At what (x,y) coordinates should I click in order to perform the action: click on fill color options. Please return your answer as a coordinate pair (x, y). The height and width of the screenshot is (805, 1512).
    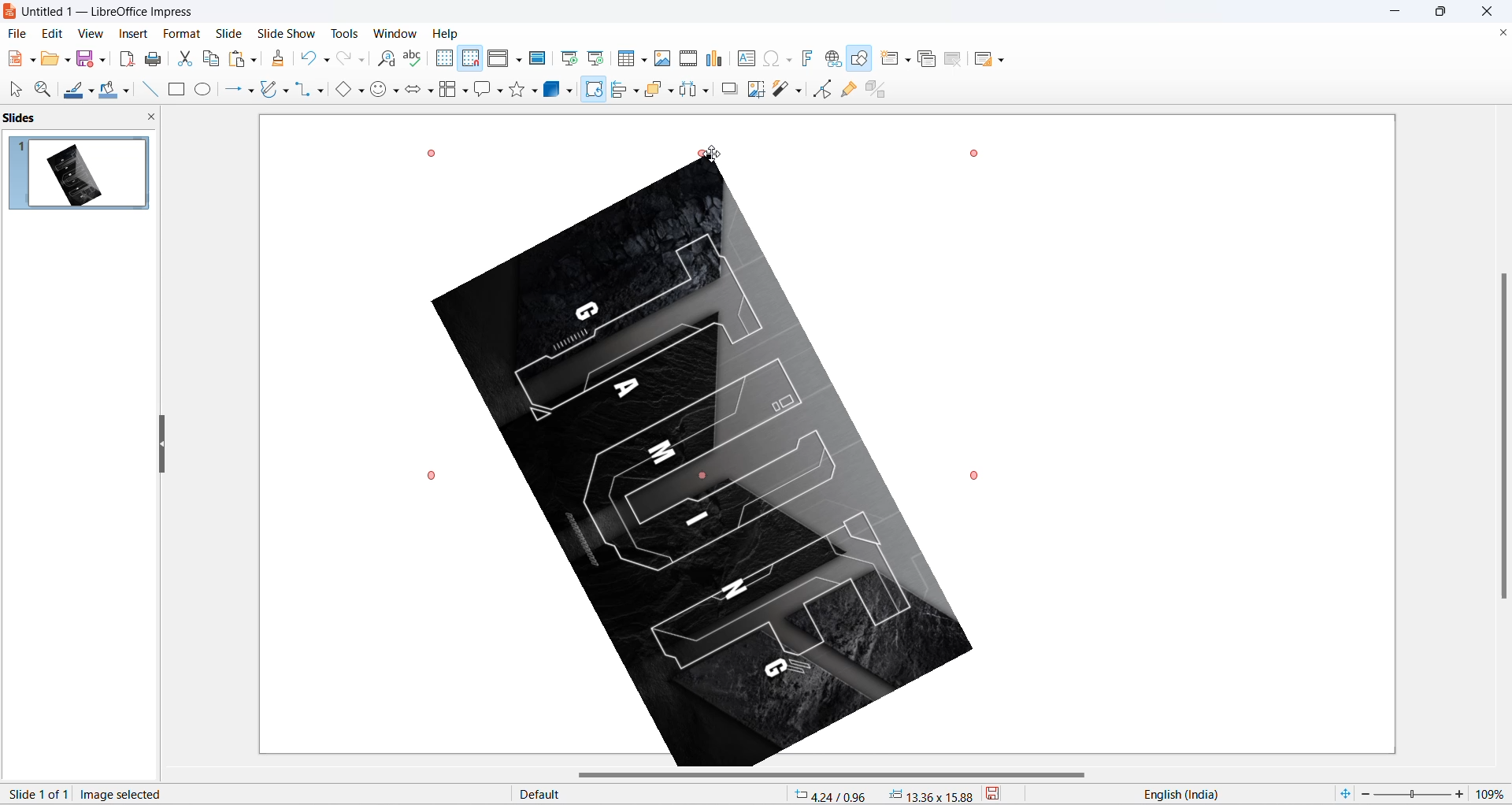
    Looking at the image, I should click on (125, 92).